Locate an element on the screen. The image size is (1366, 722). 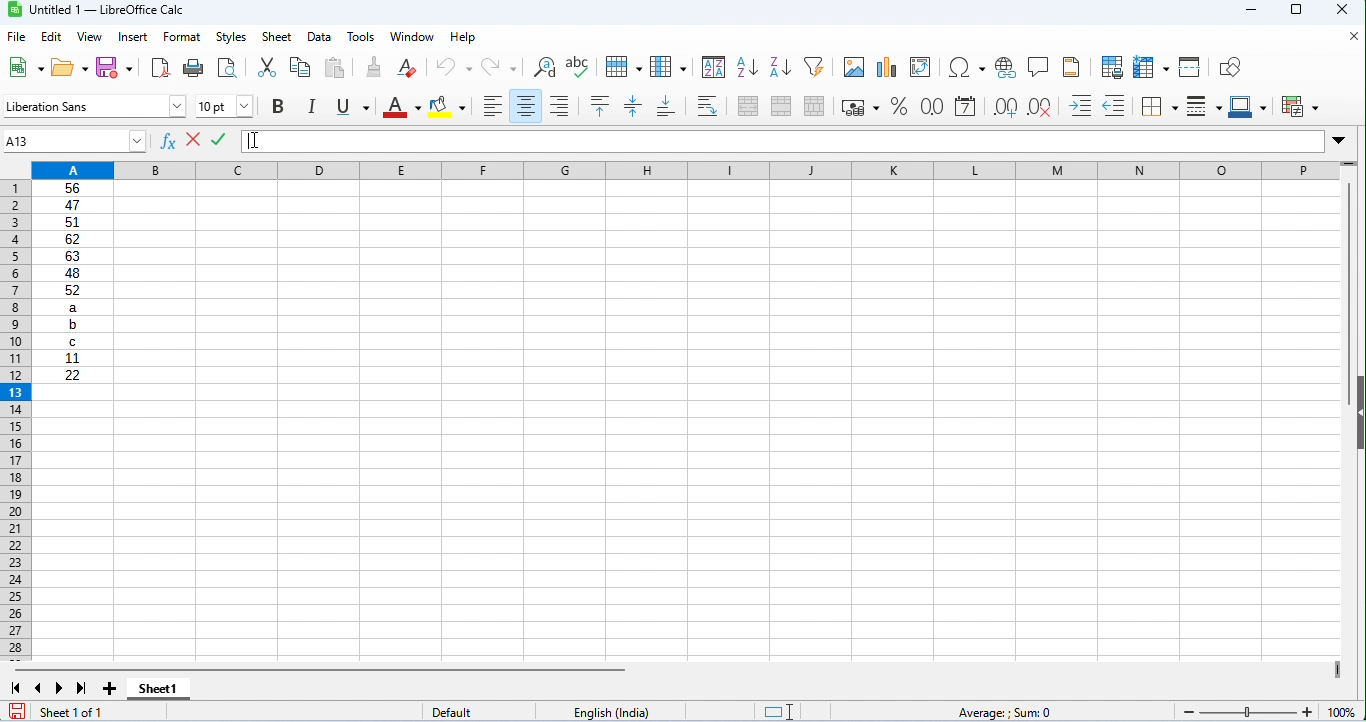
sort ascending is located at coordinates (746, 68).